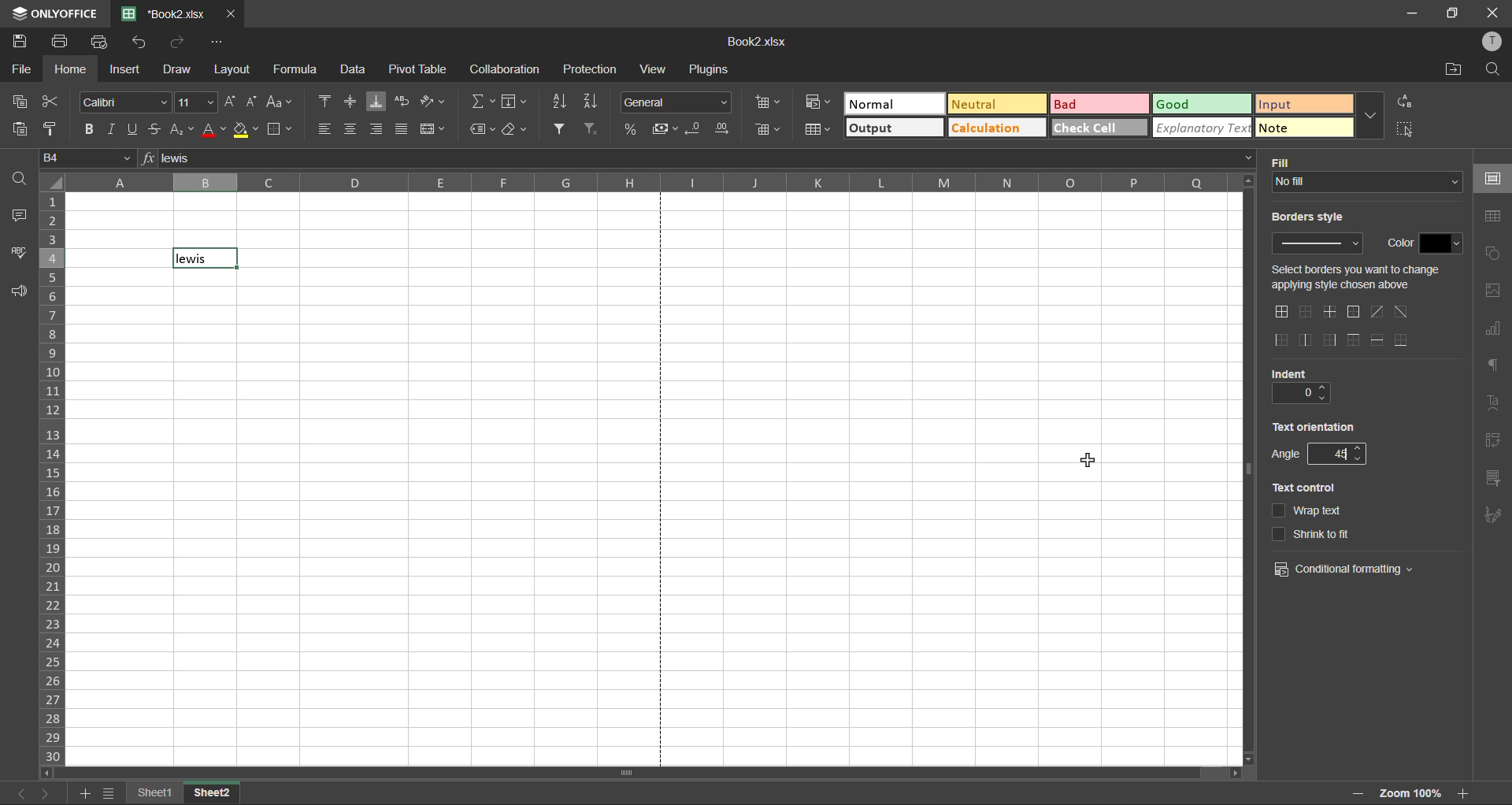 The height and width of the screenshot is (805, 1512). I want to click on minimize, so click(1413, 13).